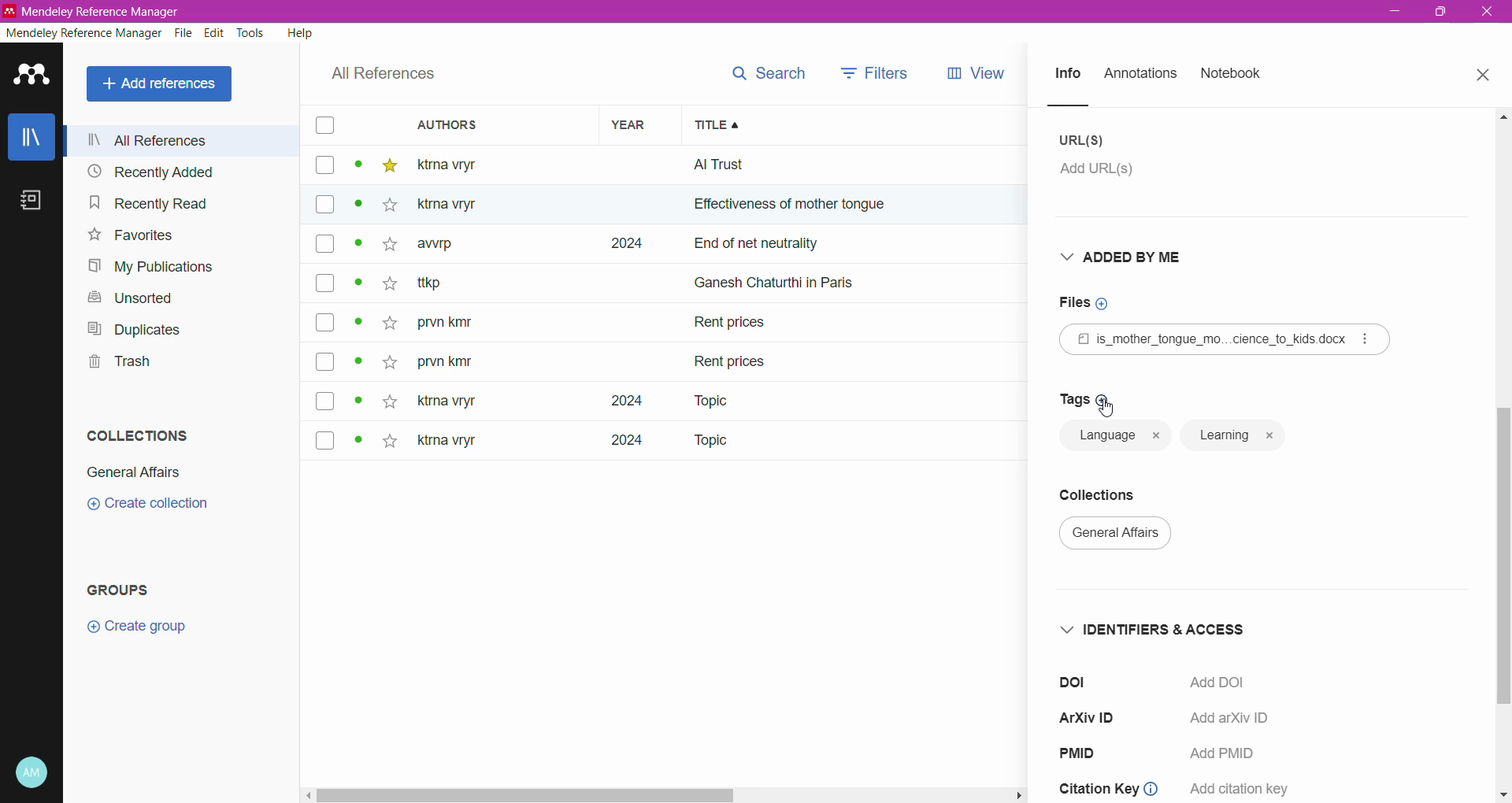  Describe the element at coordinates (1159, 628) in the screenshot. I see `Identifiers and Access` at that location.